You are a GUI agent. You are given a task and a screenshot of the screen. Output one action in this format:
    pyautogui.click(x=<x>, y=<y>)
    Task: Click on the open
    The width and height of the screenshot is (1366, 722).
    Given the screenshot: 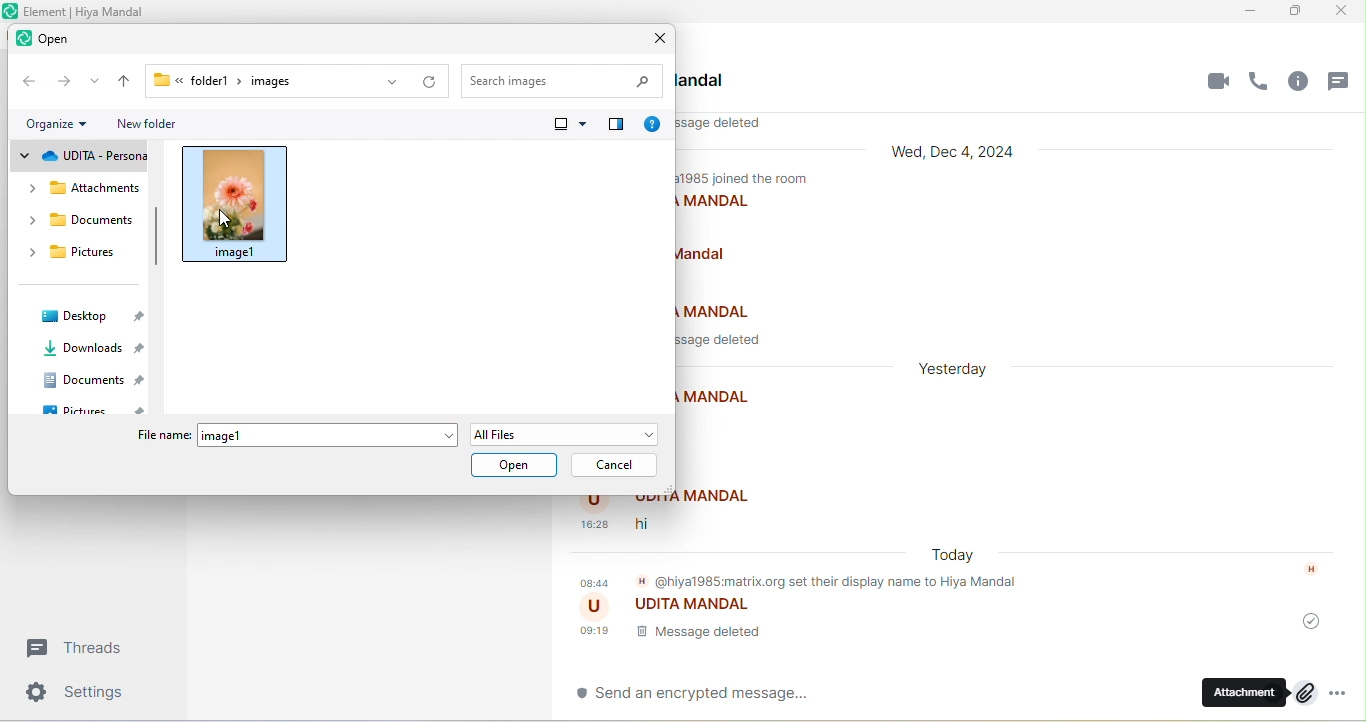 What is the action you would take?
    pyautogui.click(x=47, y=41)
    